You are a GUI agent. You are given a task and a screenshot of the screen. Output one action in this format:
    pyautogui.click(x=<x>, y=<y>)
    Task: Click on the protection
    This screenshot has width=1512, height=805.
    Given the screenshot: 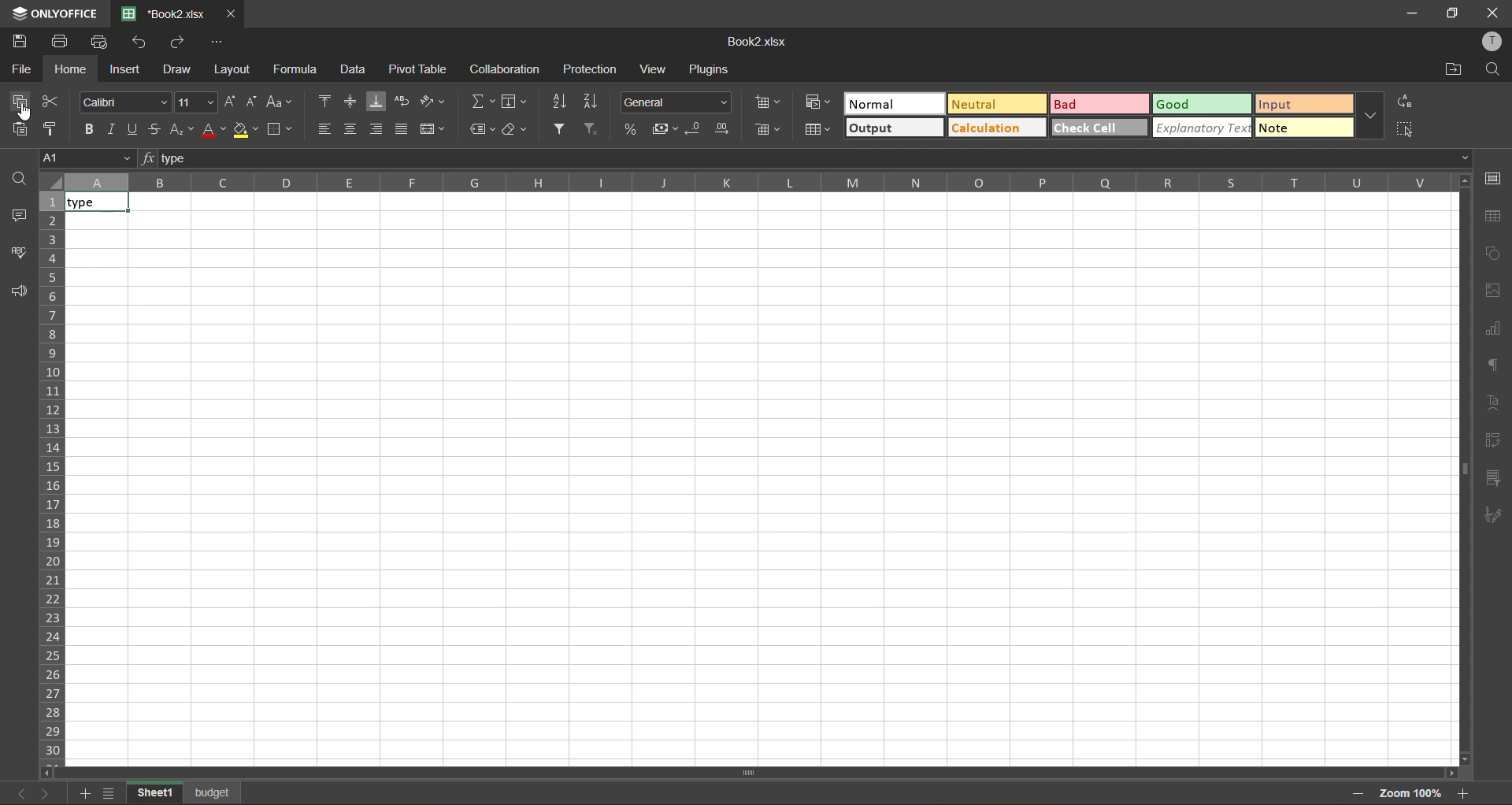 What is the action you would take?
    pyautogui.click(x=592, y=68)
    